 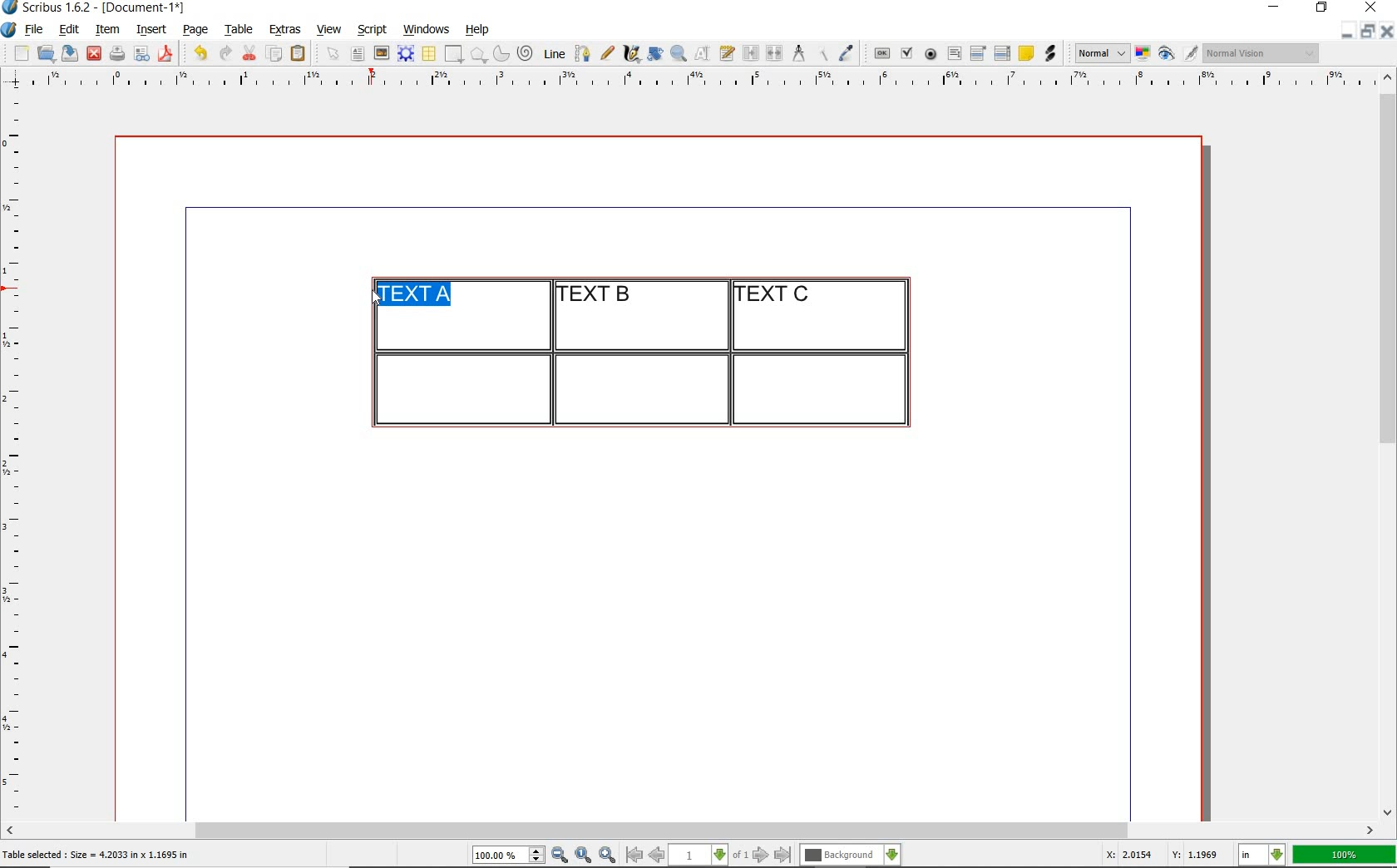 What do you see at coordinates (783, 856) in the screenshot?
I see `go to last page` at bounding box center [783, 856].